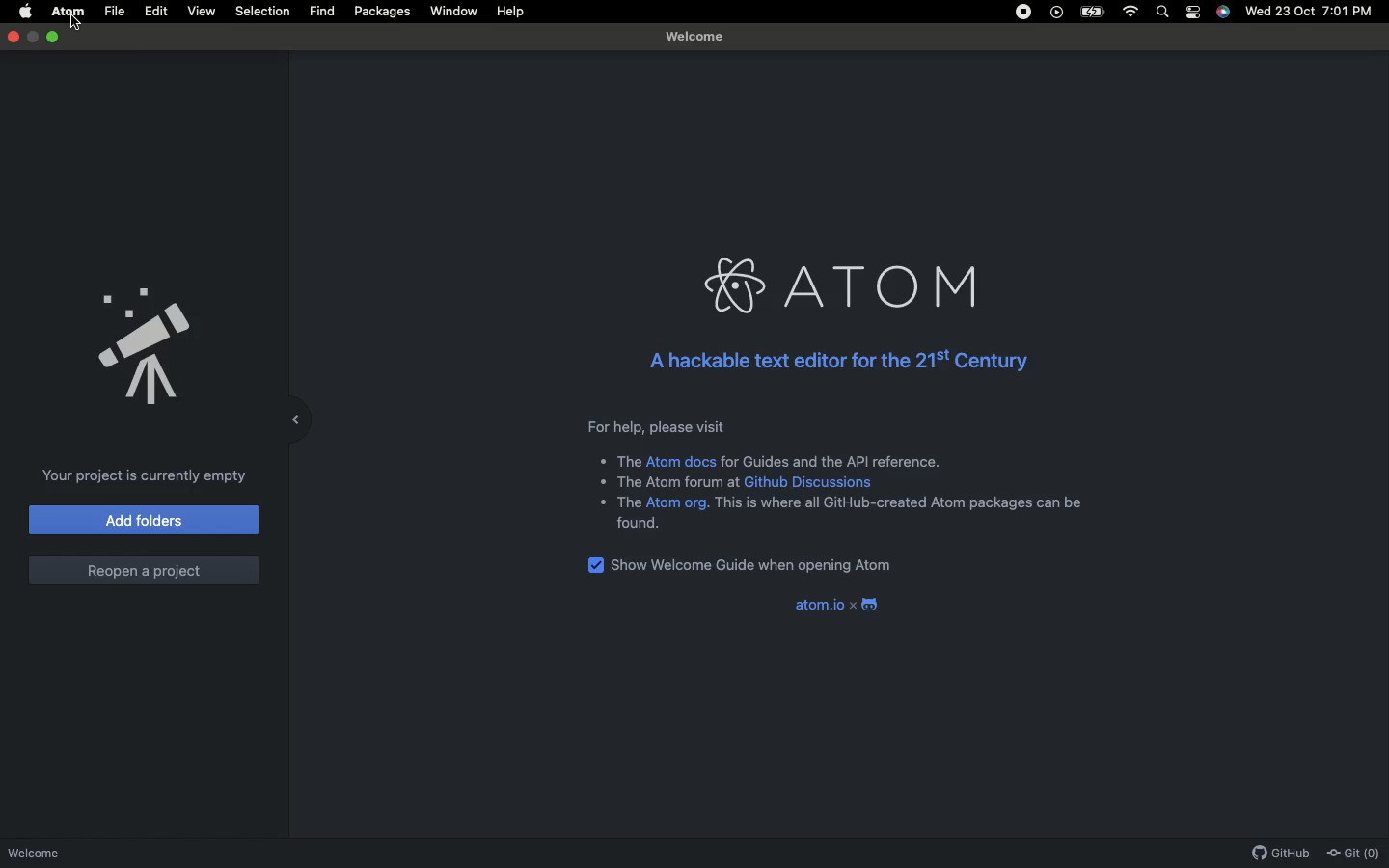  What do you see at coordinates (382, 12) in the screenshot?
I see `Packages` at bounding box center [382, 12].